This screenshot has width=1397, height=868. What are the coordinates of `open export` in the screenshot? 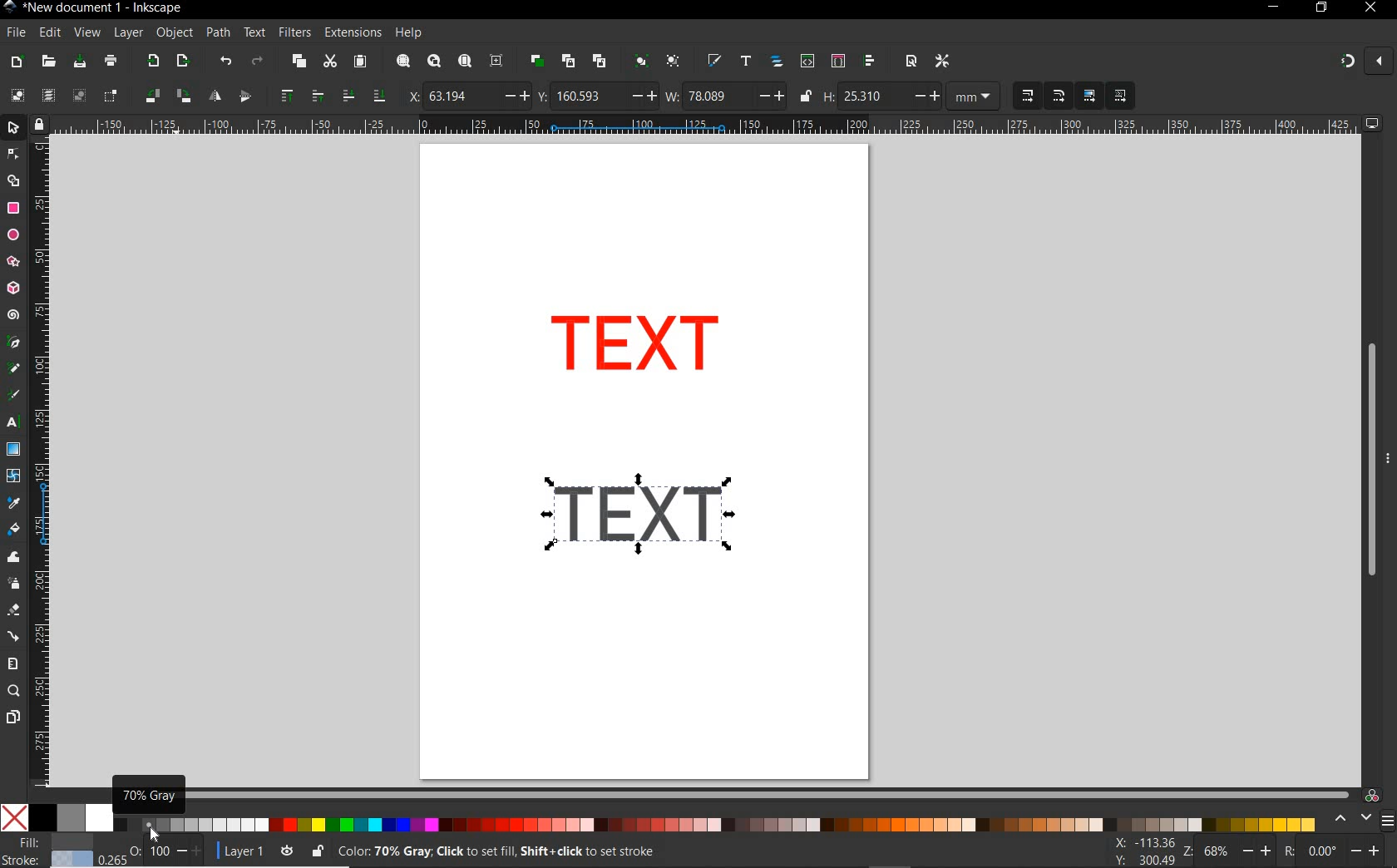 It's located at (182, 62).